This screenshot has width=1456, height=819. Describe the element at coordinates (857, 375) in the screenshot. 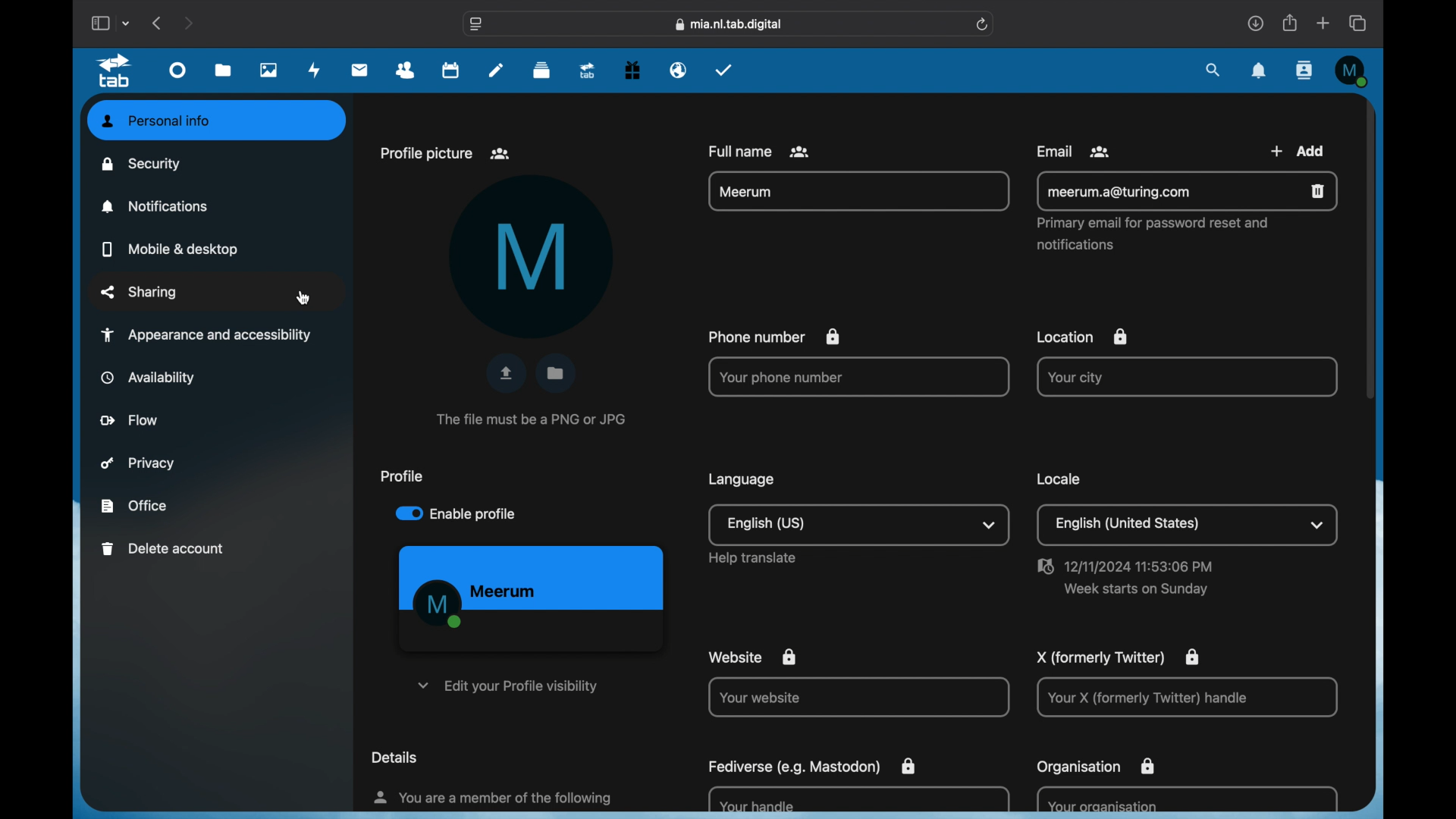

I see `phone number` at that location.